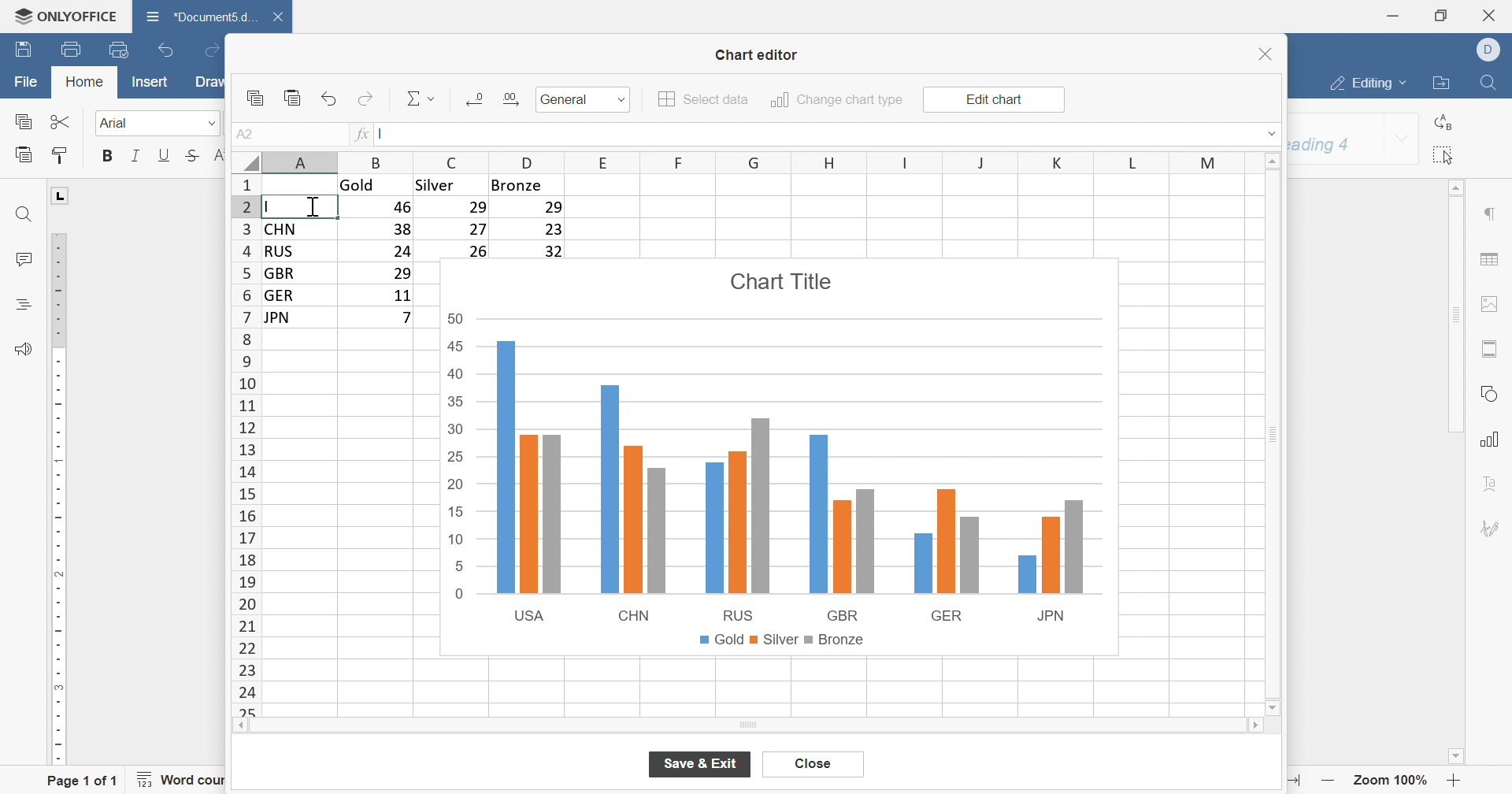 The height and width of the screenshot is (794, 1512). Describe the element at coordinates (366, 98) in the screenshot. I see `redo` at that location.